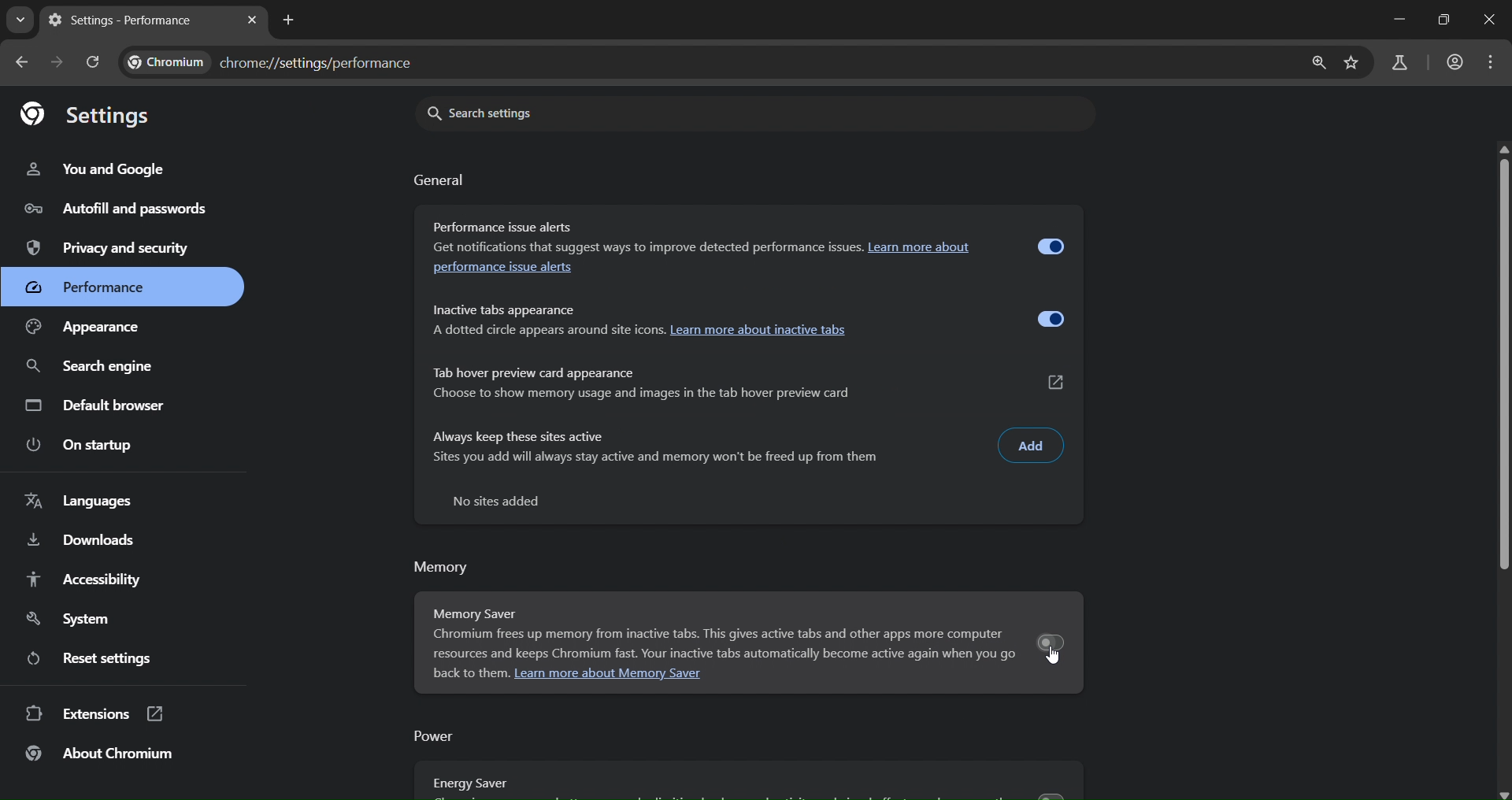 This screenshot has width=1512, height=800. Describe the element at coordinates (287, 20) in the screenshot. I see `new tab` at that location.